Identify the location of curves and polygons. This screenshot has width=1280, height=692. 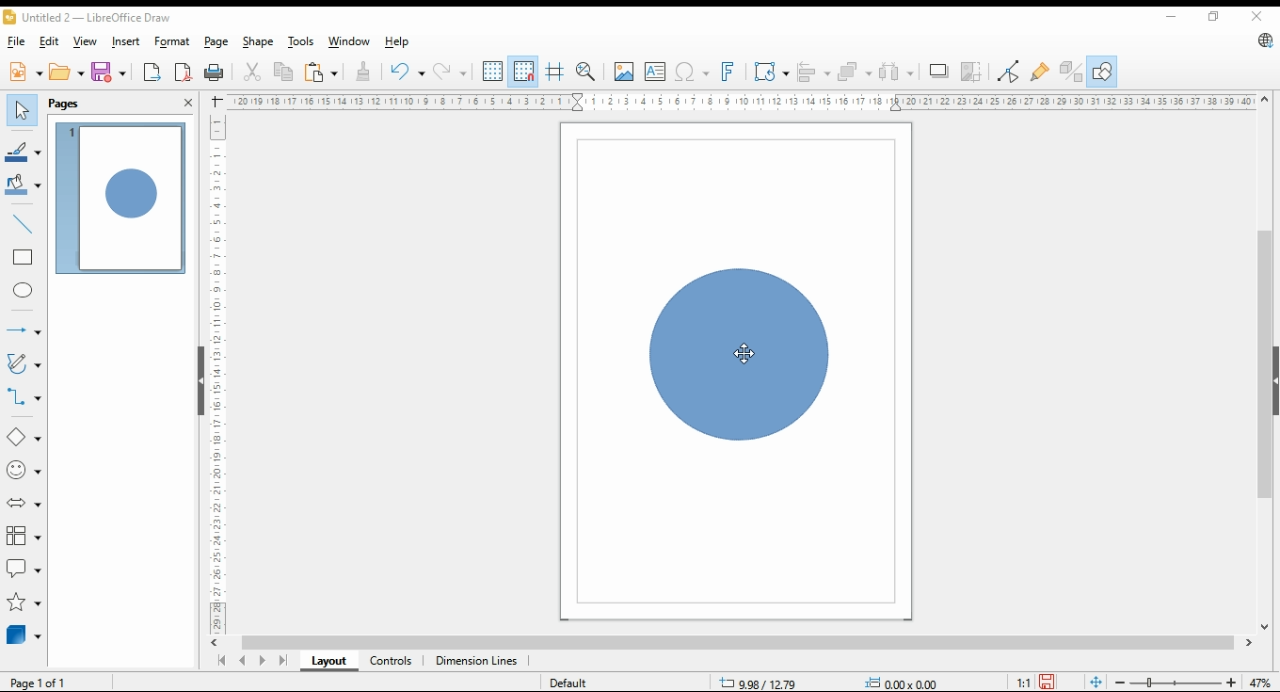
(23, 364).